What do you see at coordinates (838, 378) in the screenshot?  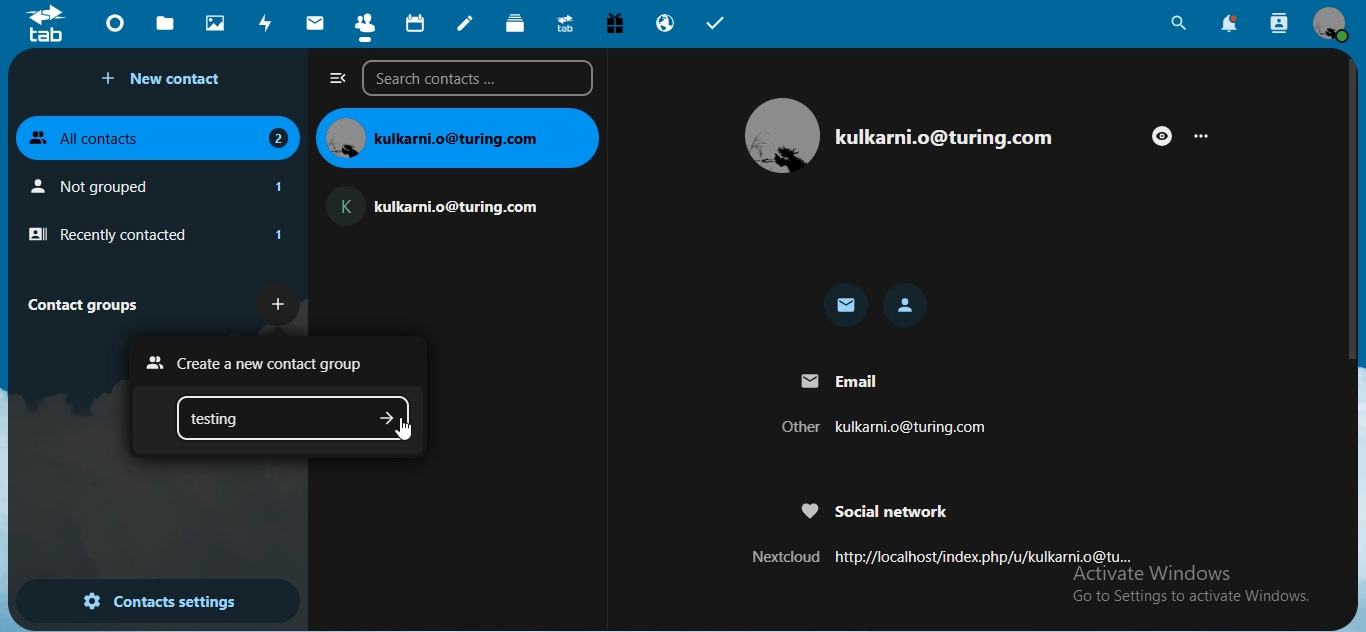 I see `Email` at bounding box center [838, 378].